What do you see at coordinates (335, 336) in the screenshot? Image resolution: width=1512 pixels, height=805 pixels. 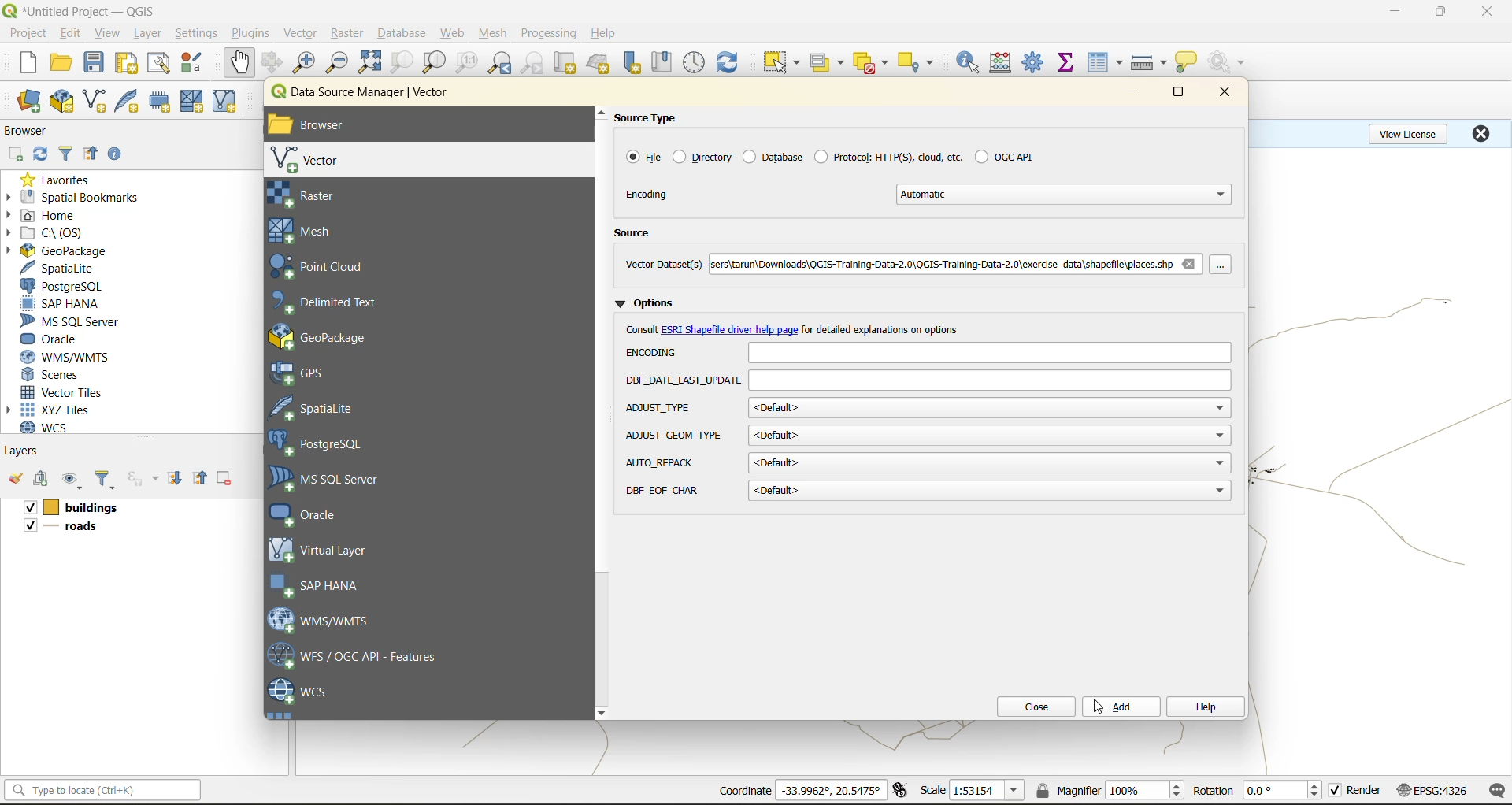 I see `geo package` at bounding box center [335, 336].